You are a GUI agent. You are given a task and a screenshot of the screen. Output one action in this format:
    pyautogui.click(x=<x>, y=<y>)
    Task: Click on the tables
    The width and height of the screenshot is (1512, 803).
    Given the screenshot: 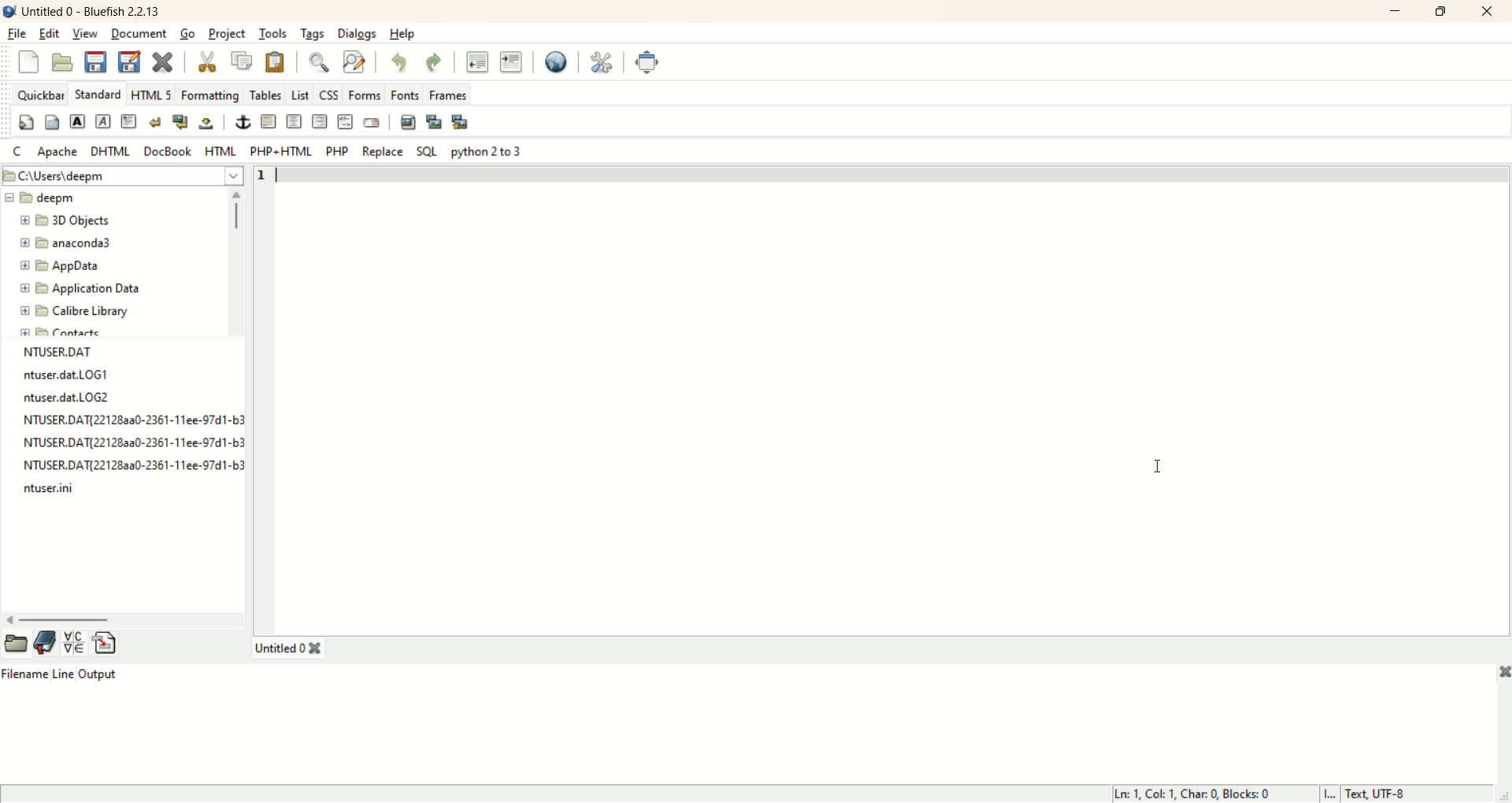 What is the action you would take?
    pyautogui.click(x=265, y=93)
    